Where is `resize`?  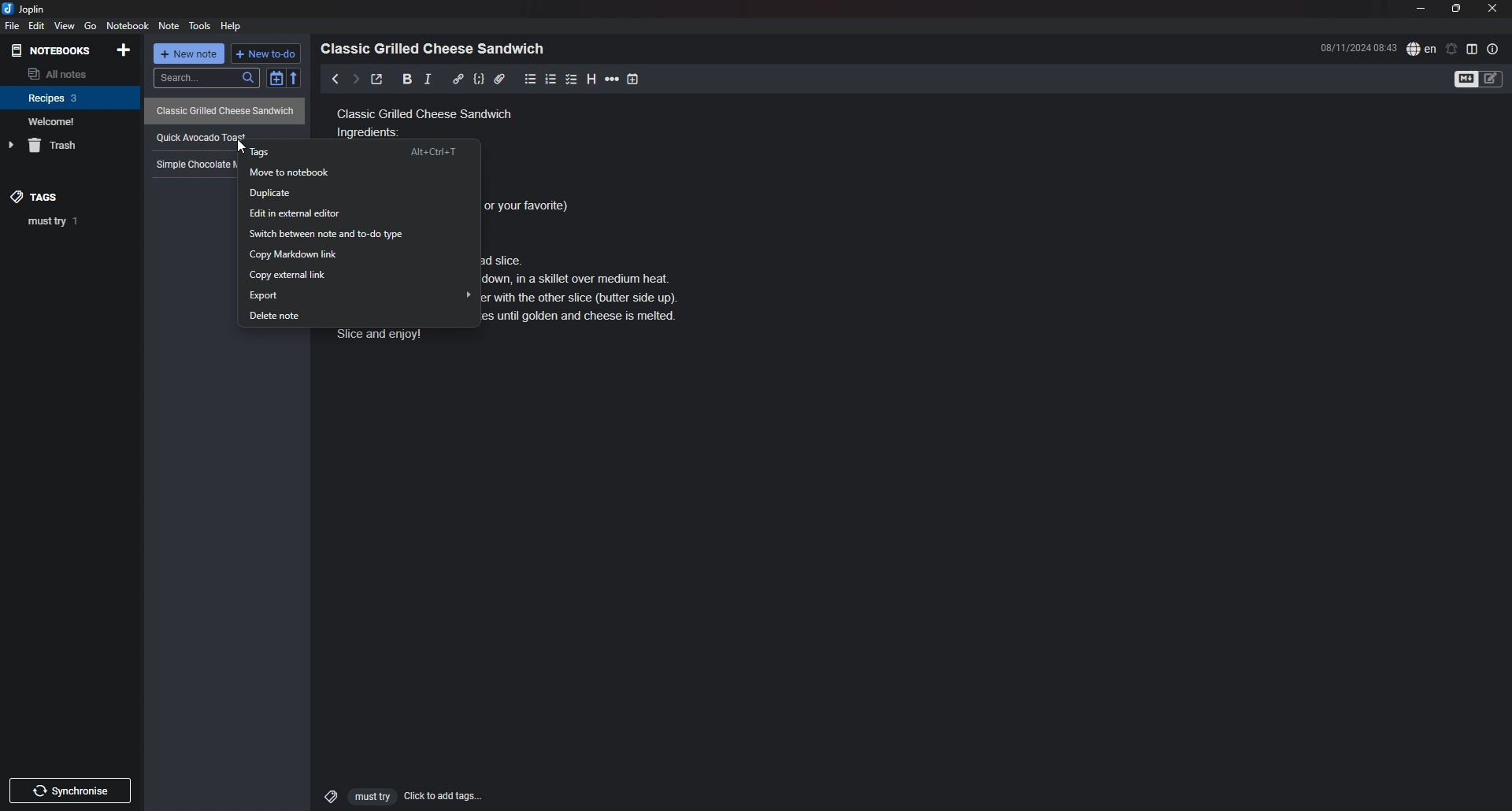 resize is located at coordinates (1456, 9).